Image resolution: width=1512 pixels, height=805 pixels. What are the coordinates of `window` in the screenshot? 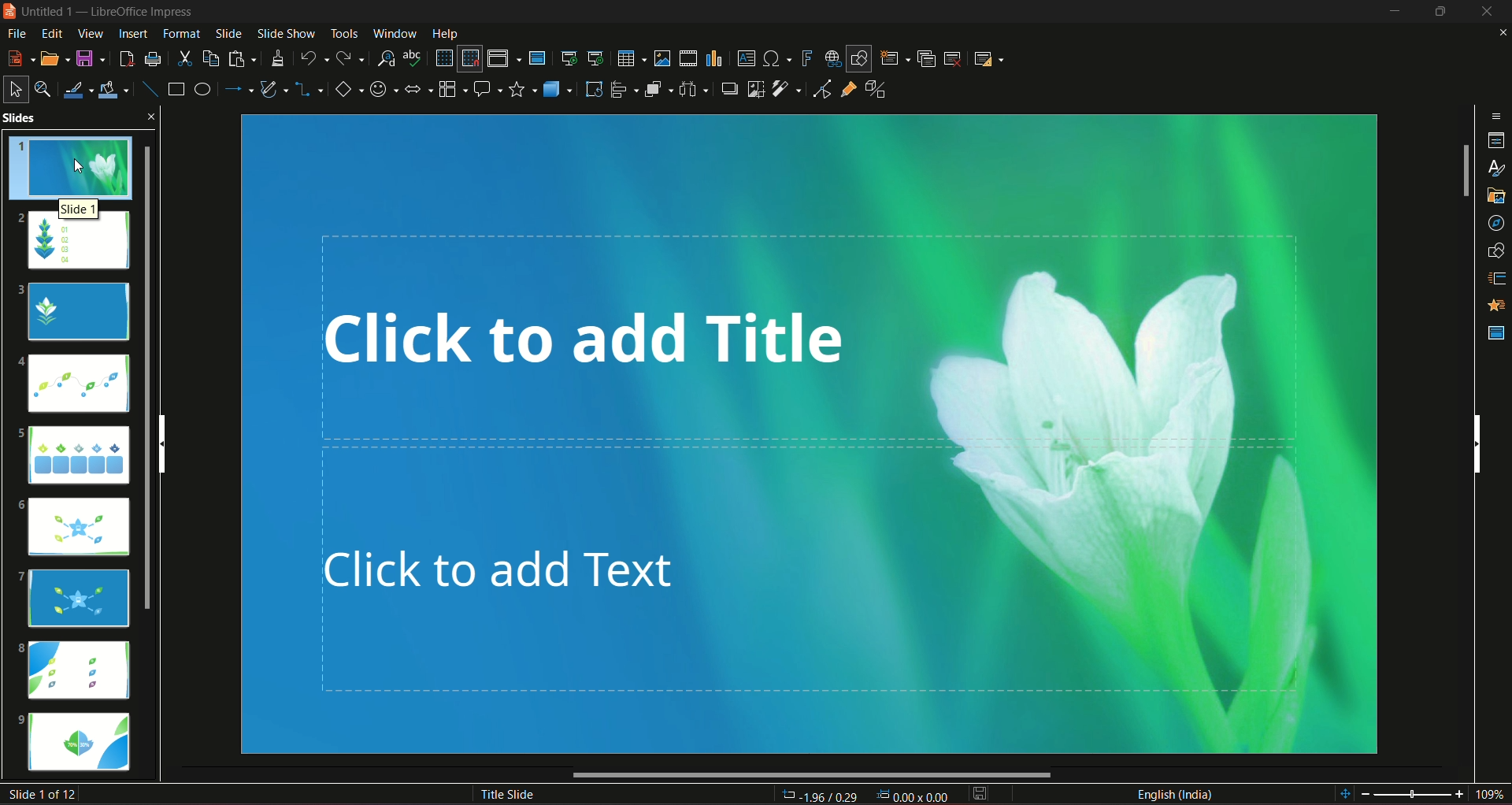 It's located at (396, 32).